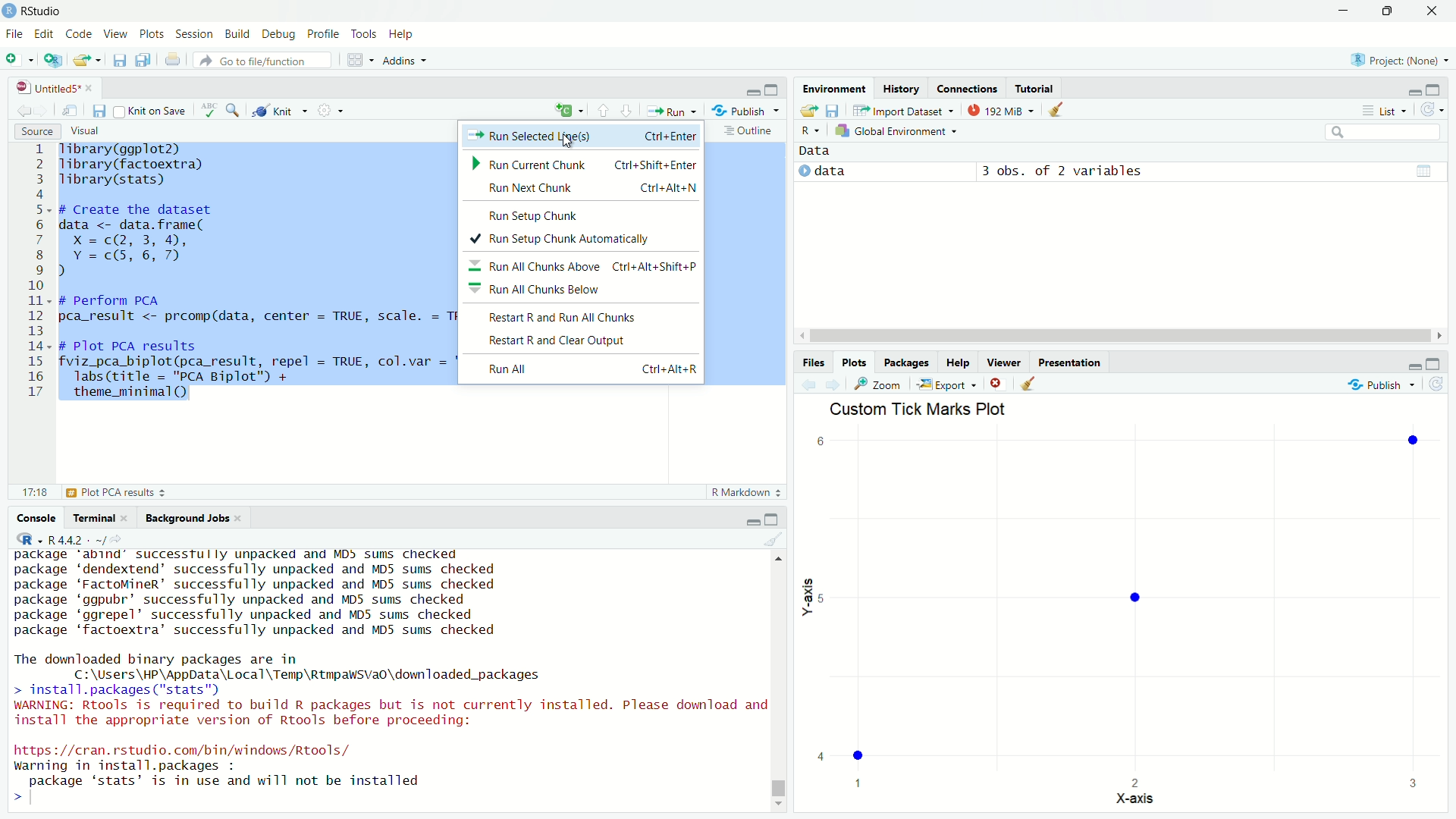 Image resolution: width=1456 pixels, height=819 pixels. I want to click on R language version - 4.4.2, so click(82, 539).